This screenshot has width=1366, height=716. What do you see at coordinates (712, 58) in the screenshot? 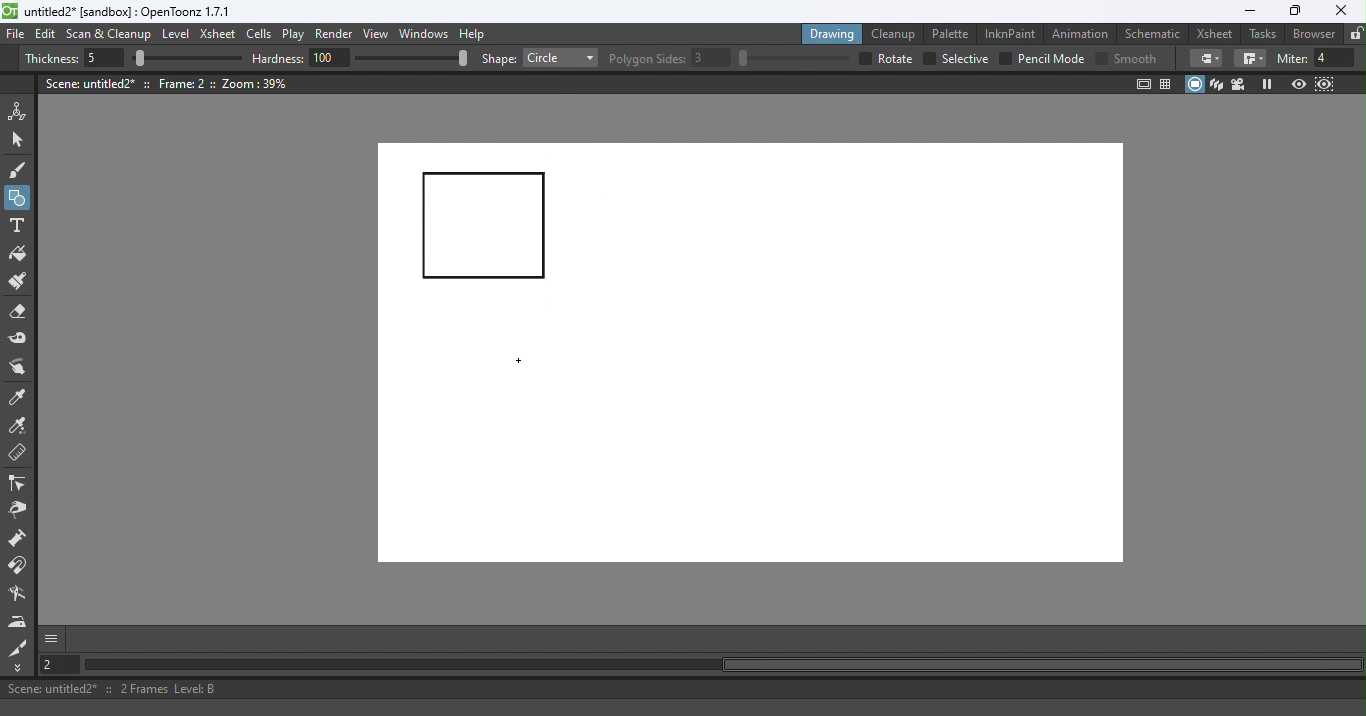
I see `3` at bounding box center [712, 58].